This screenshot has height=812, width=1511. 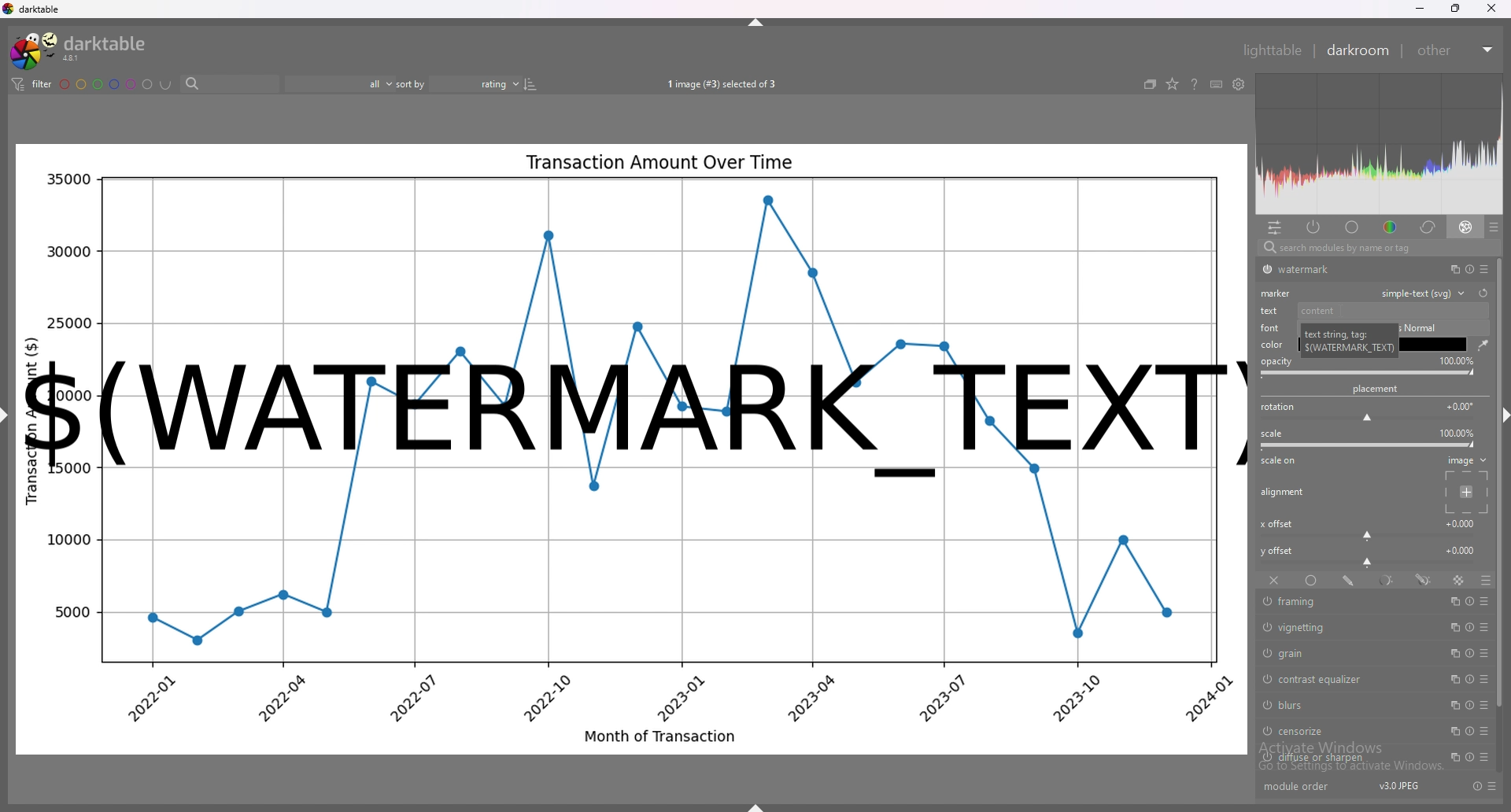 What do you see at coordinates (1466, 227) in the screenshot?
I see `effect` at bounding box center [1466, 227].